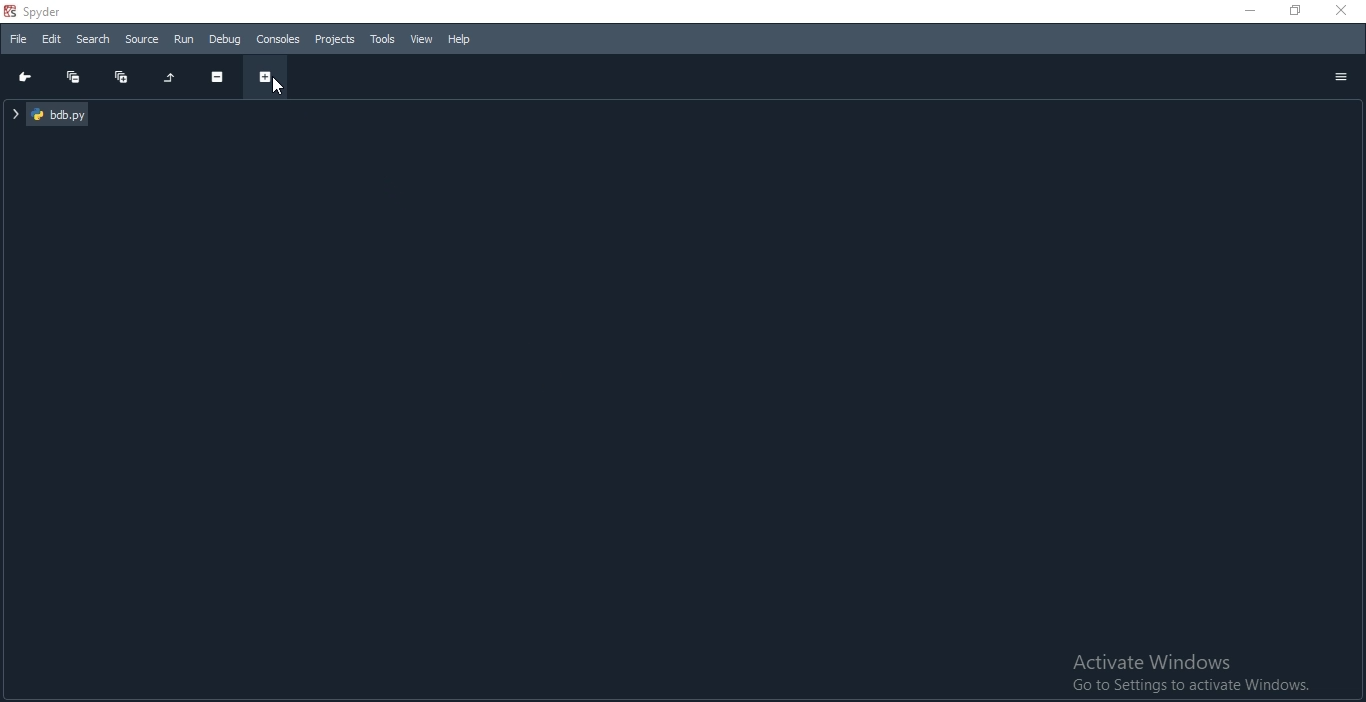 The height and width of the screenshot is (702, 1366). Describe the element at coordinates (265, 79) in the screenshot. I see `Expand section ` at that location.